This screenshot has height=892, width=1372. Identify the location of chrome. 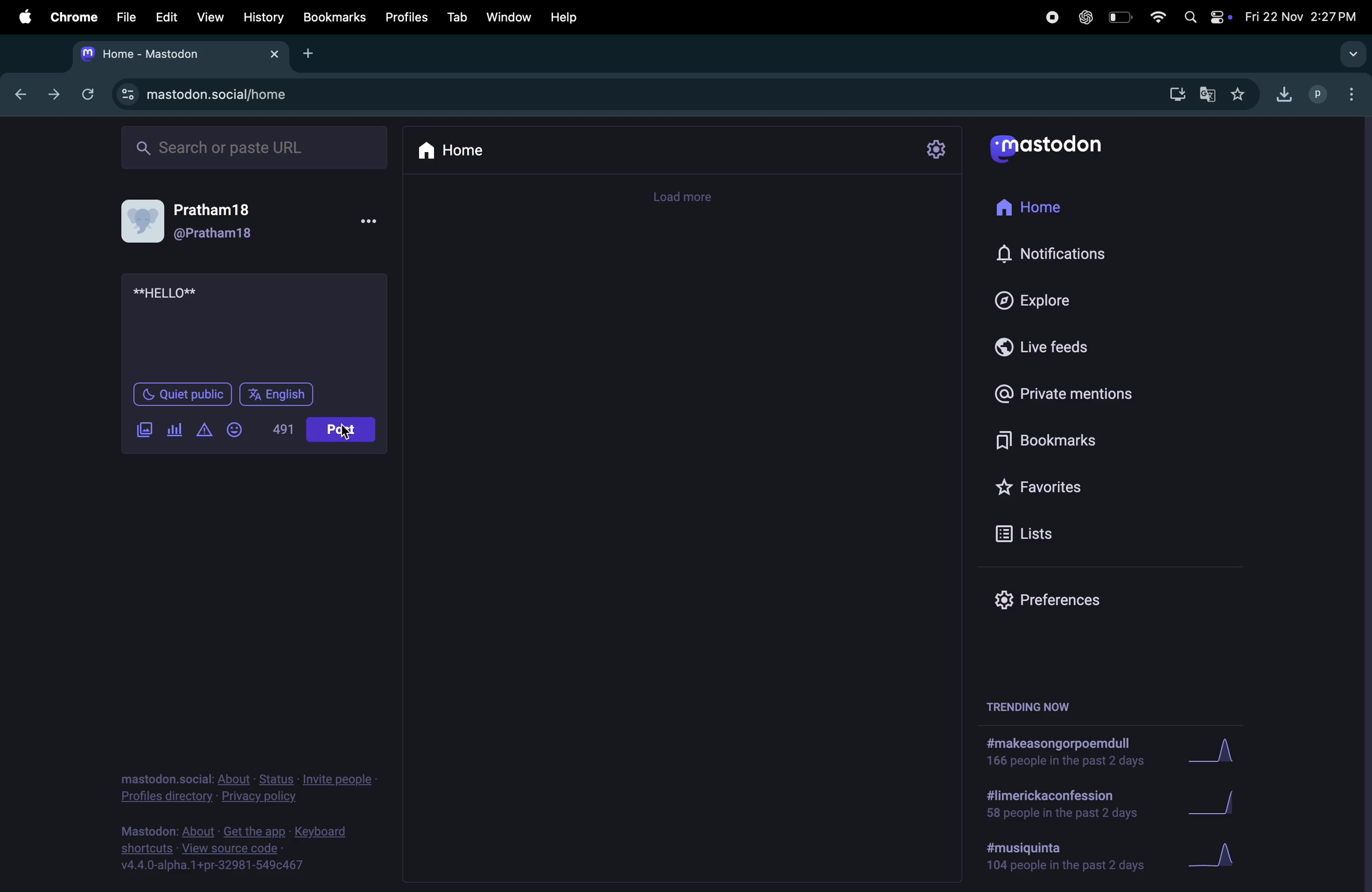
(74, 16).